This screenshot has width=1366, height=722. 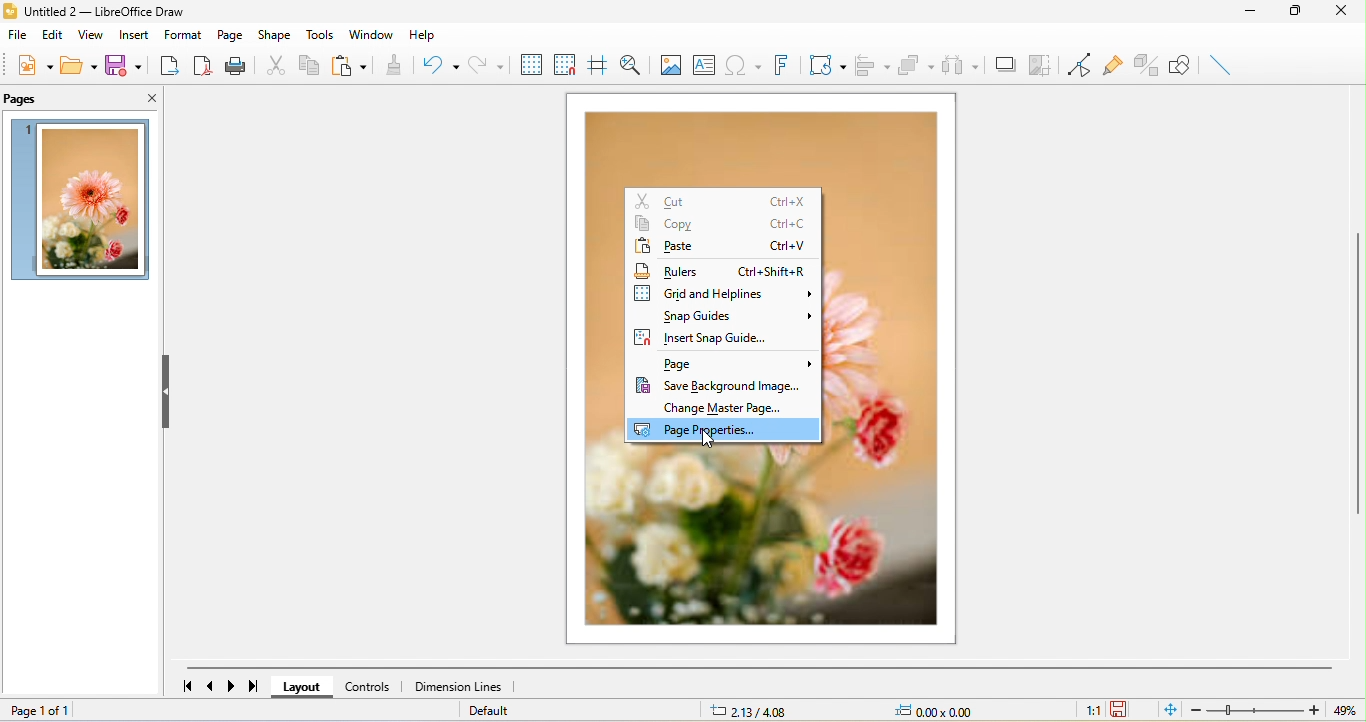 I want to click on previous page, so click(x=213, y=684).